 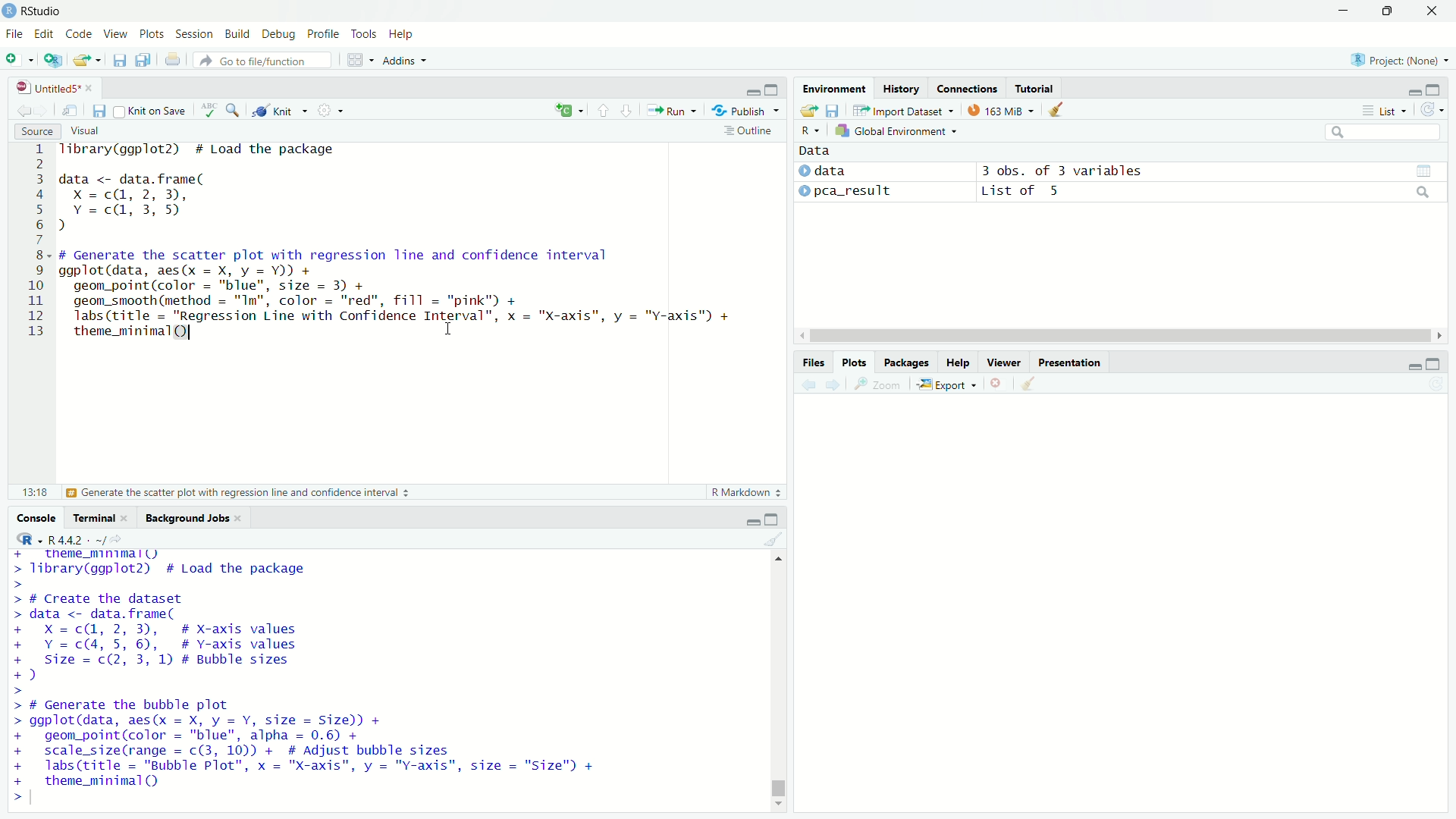 I want to click on Build, so click(x=237, y=33).